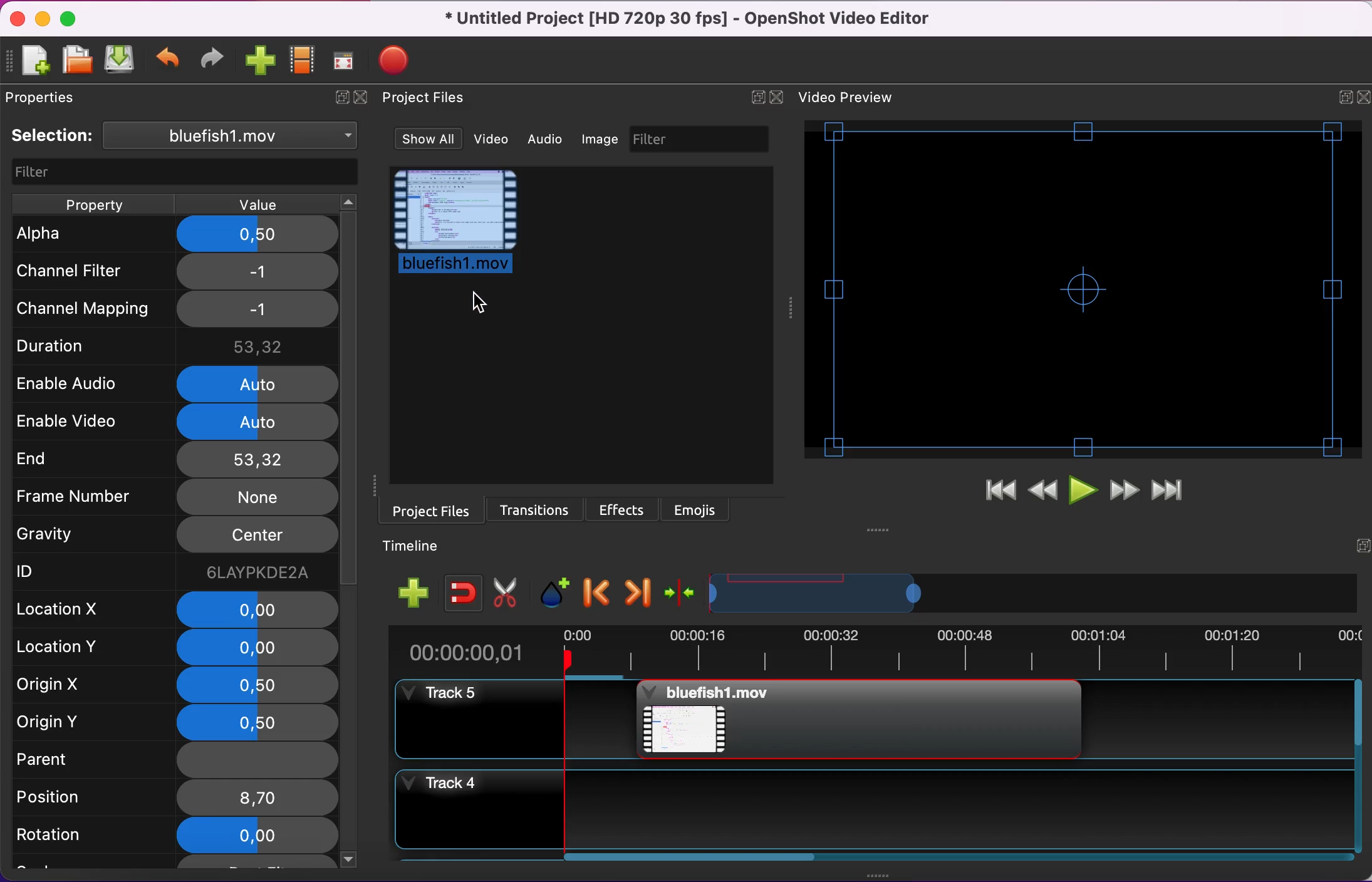 The width and height of the screenshot is (1372, 882). Describe the element at coordinates (637, 594) in the screenshot. I see `next marker` at that location.